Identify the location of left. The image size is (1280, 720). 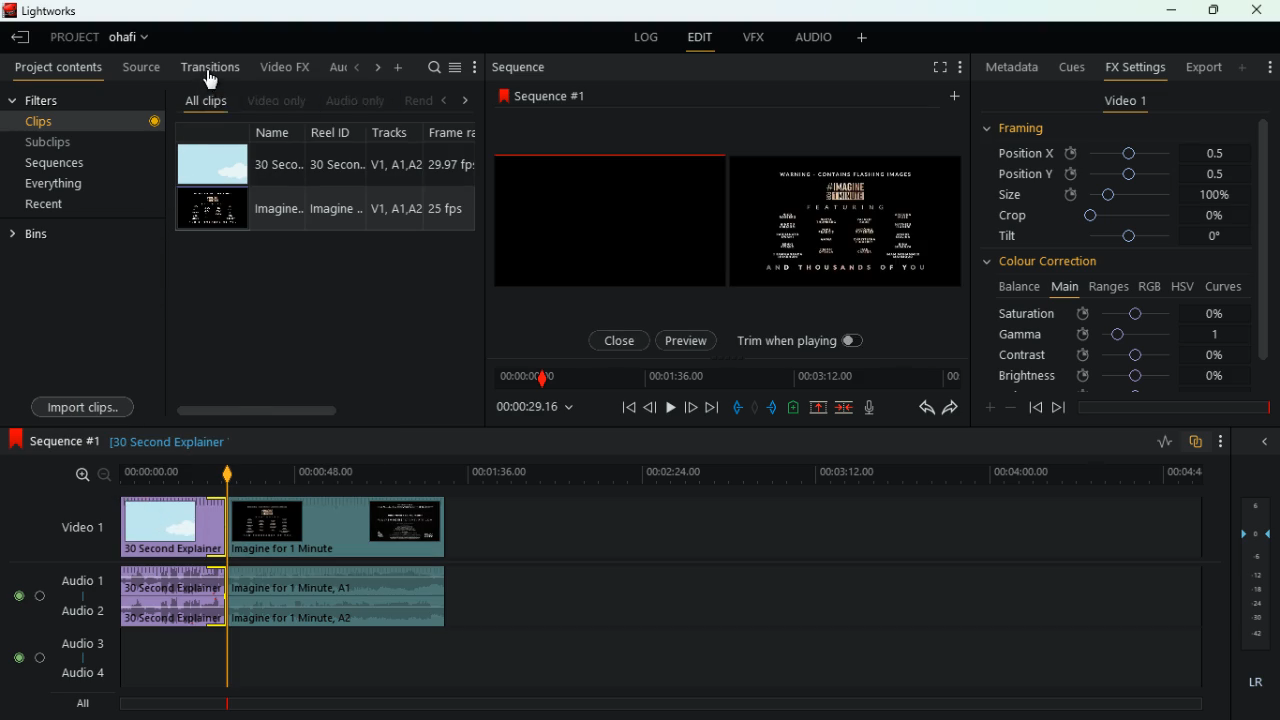
(448, 100).